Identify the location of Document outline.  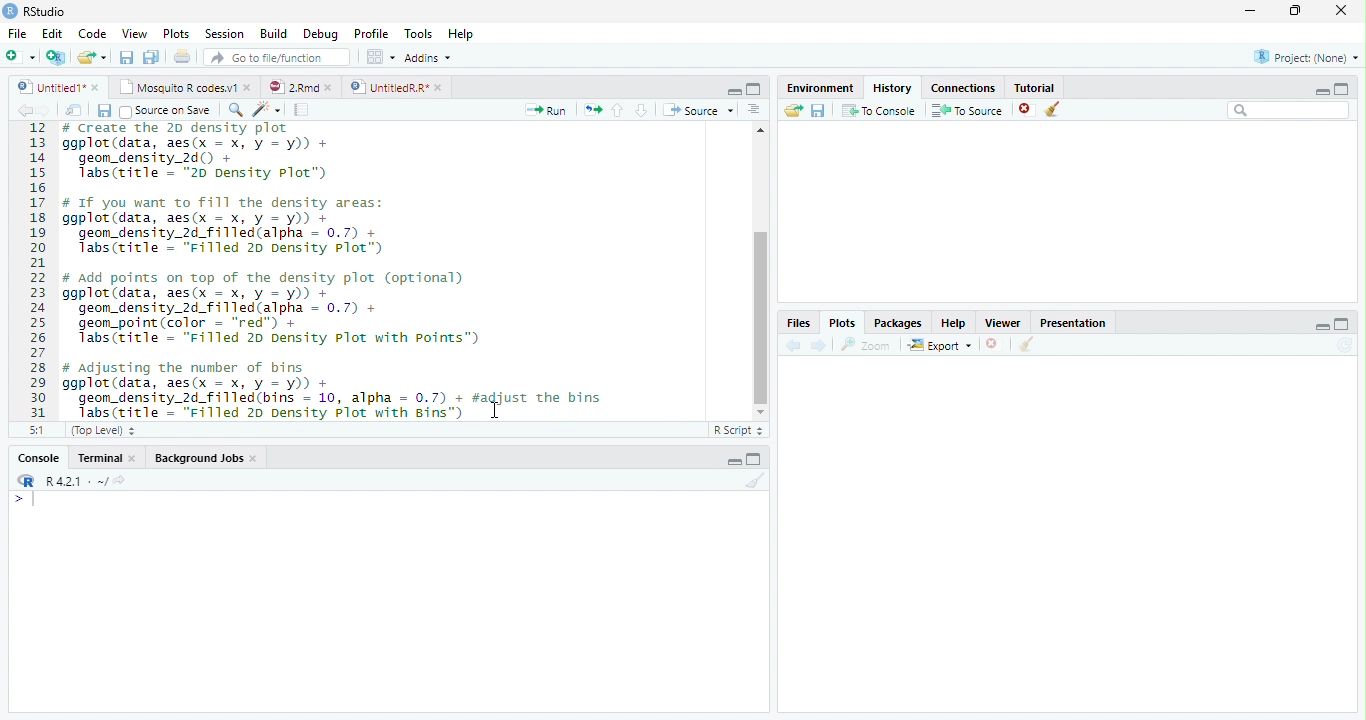
(754, 111).